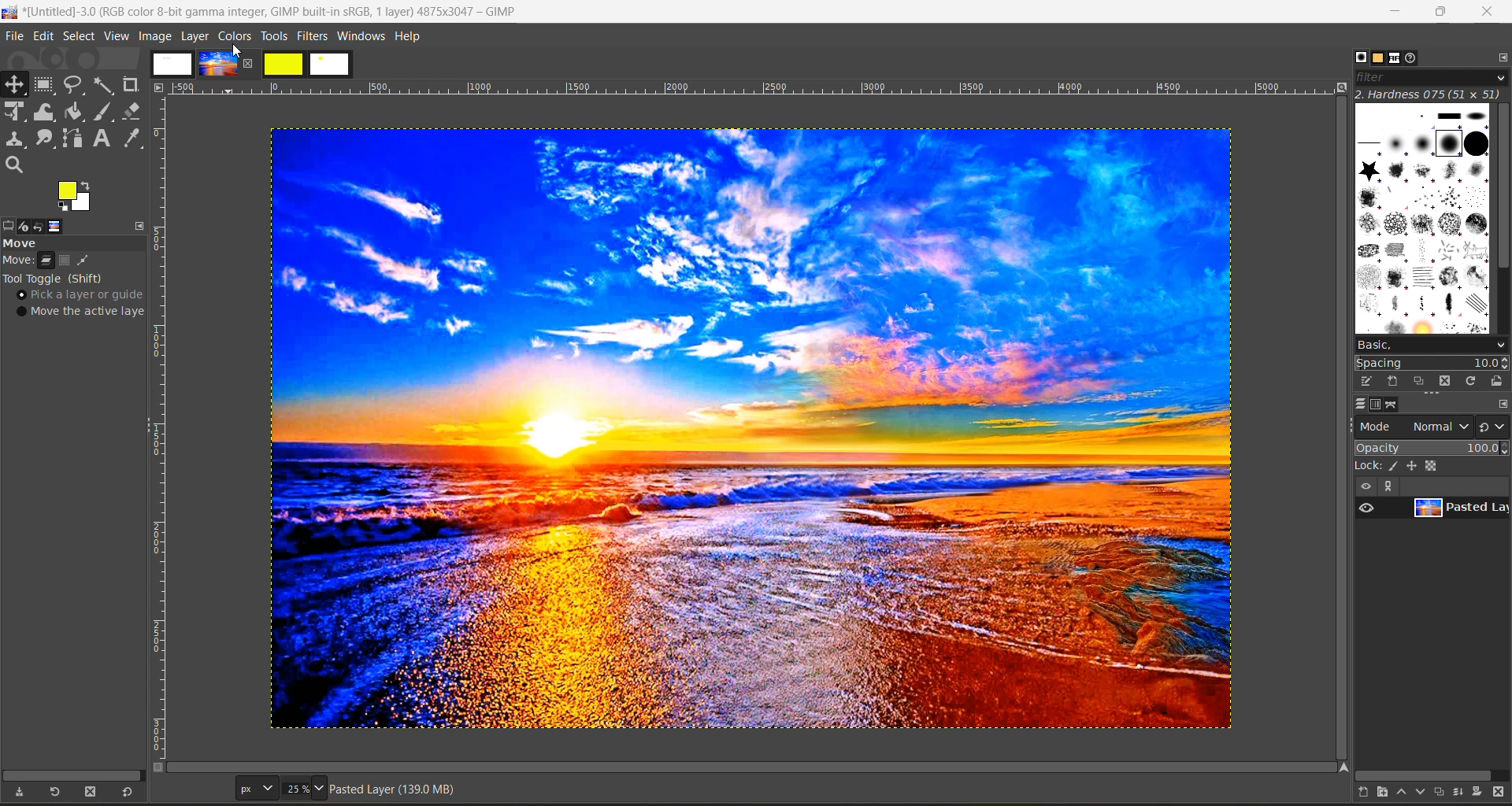 The width and height of the screenshot is (1512, 806). Describe the element at coordinates (55, 227) in the screenshot. I see `images` at that location.